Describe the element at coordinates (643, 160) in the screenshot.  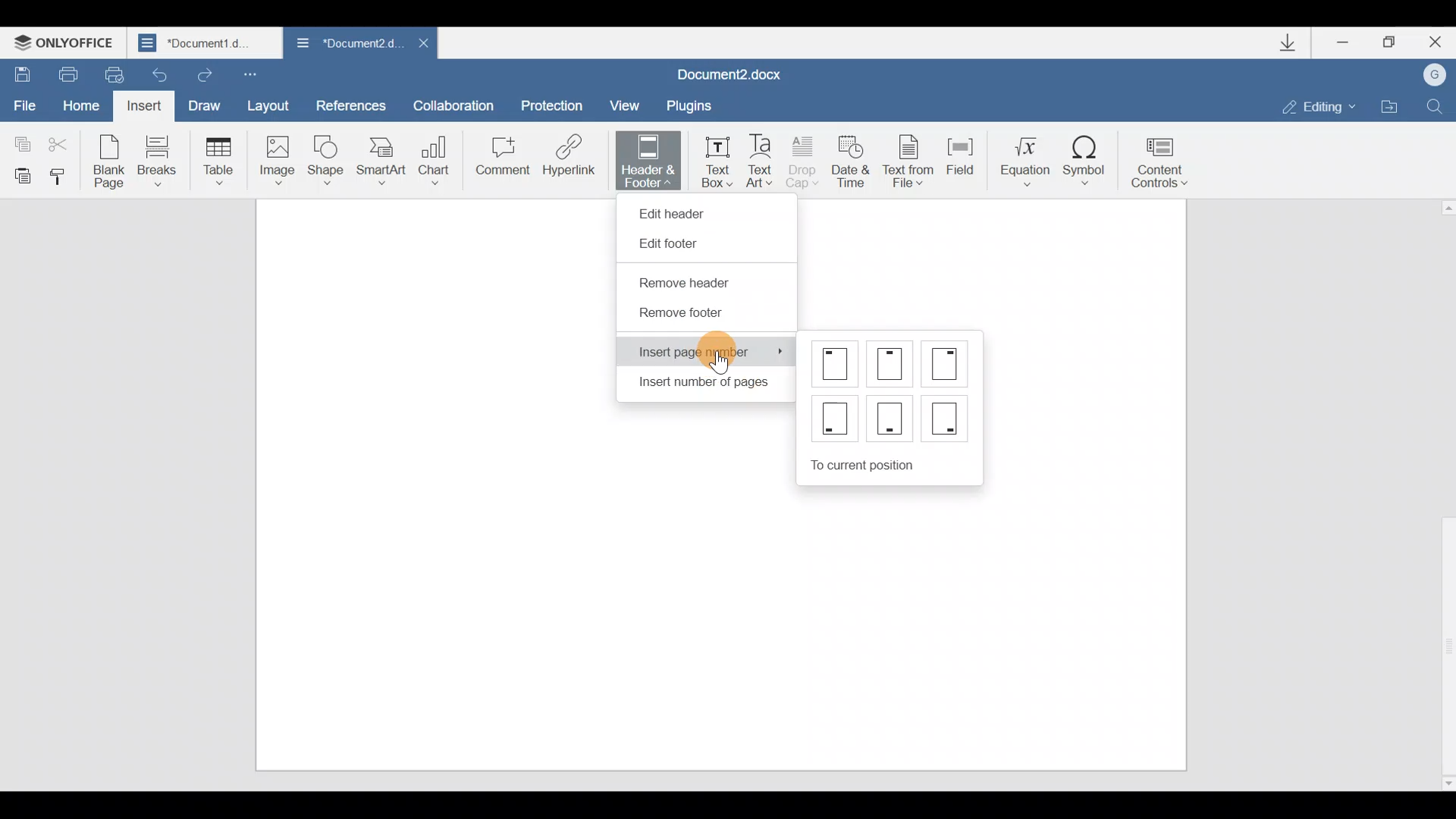
I see `Header & footer` at that location.